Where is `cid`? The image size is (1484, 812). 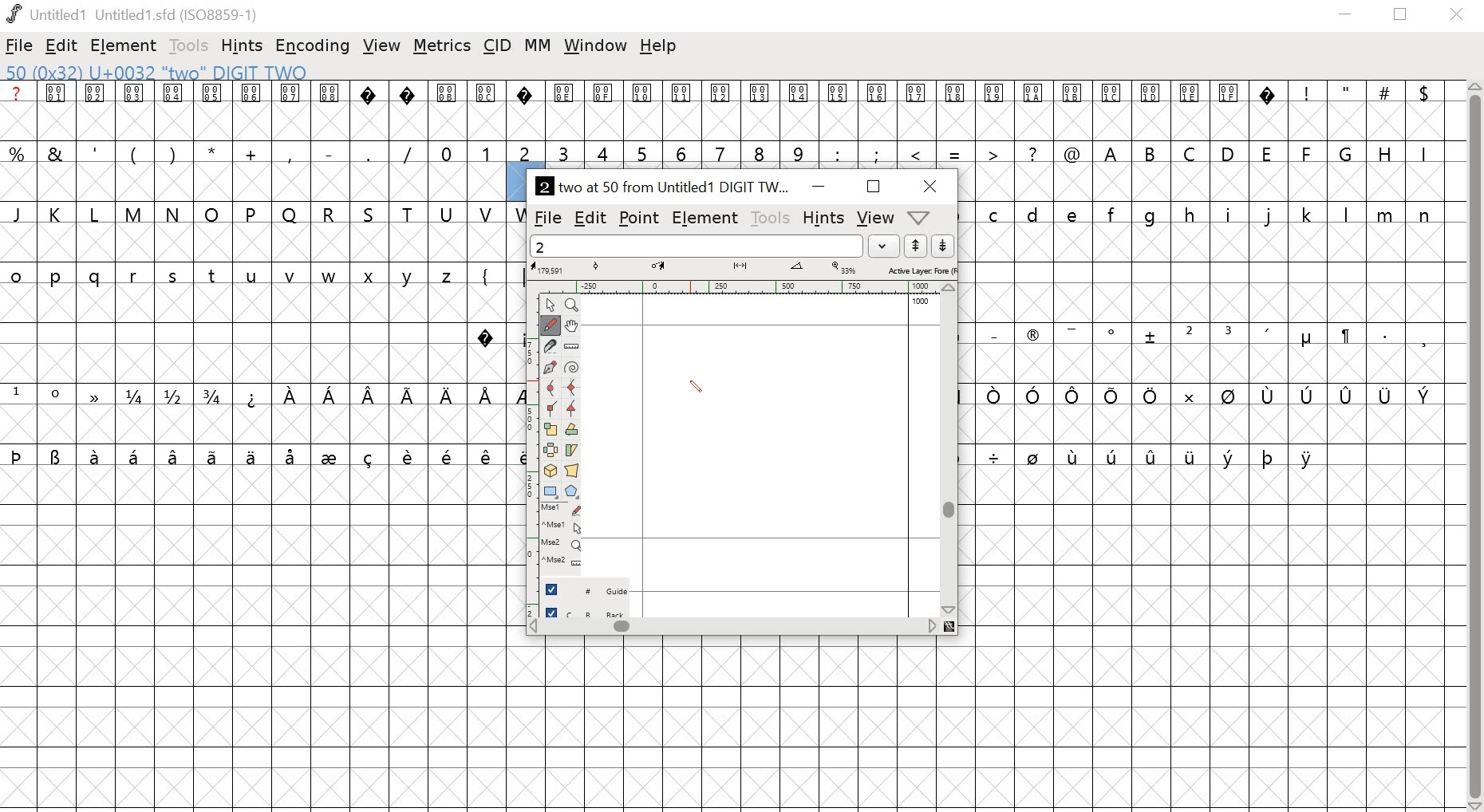
cid is located at coordinates (496, 45).